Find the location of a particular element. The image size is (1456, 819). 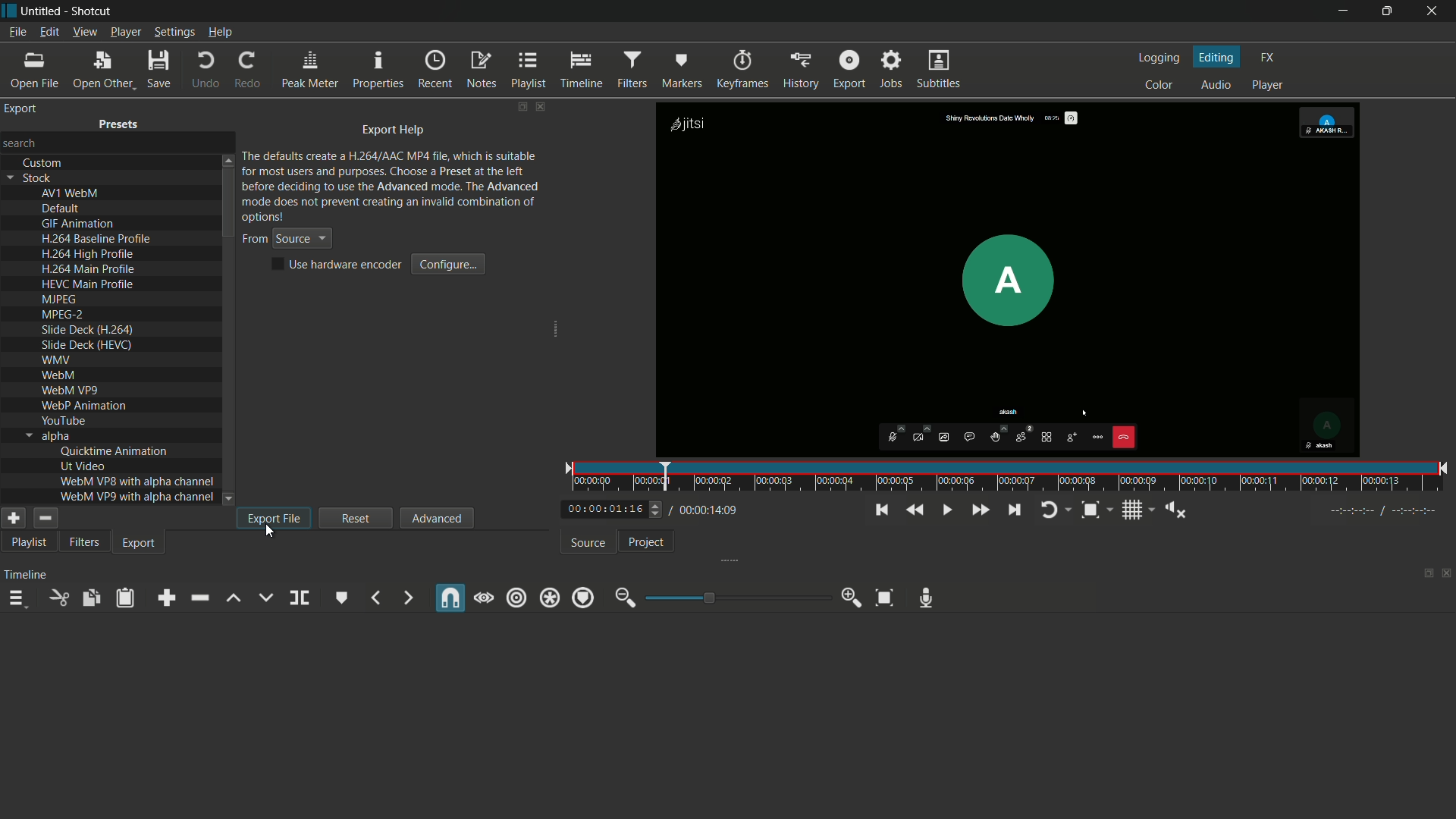

subtitles is located at coordinates (939, 70).